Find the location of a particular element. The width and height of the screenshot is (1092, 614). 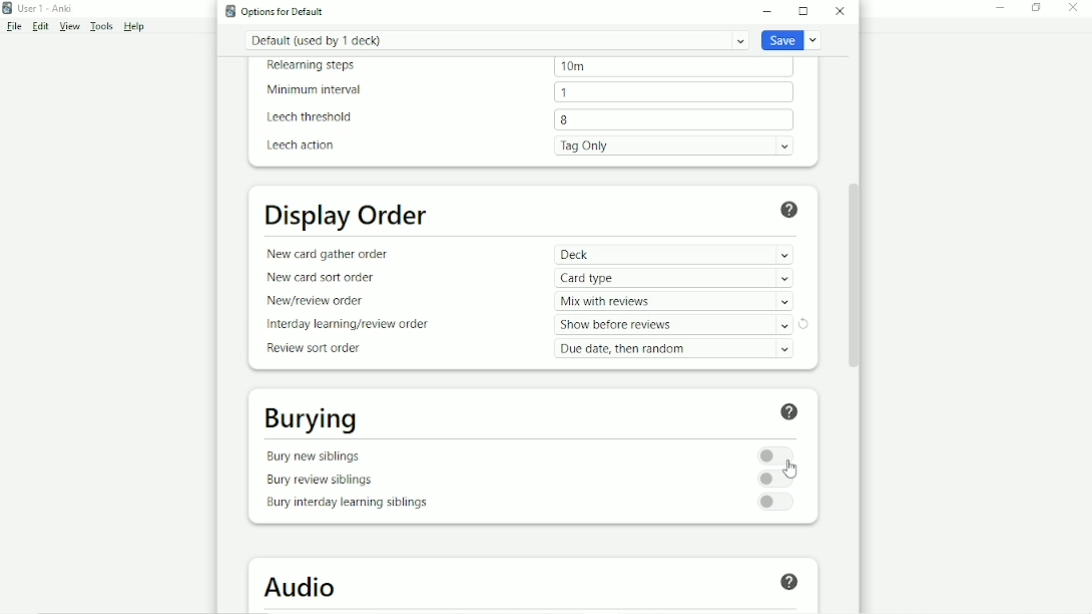

File is located at coordinates (14, 27).